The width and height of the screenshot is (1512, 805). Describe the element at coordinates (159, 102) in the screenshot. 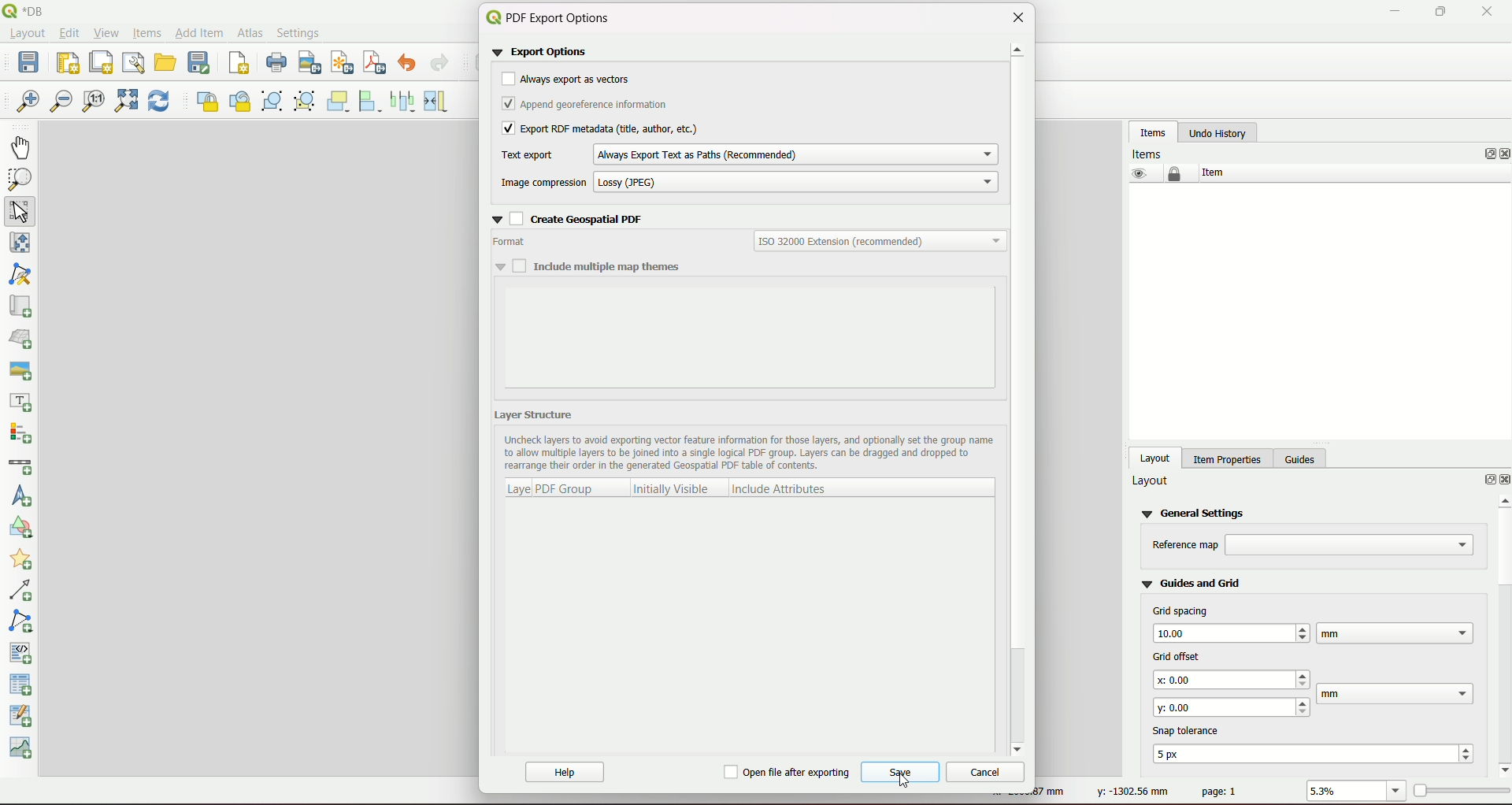

I see `refresh view` at that location.